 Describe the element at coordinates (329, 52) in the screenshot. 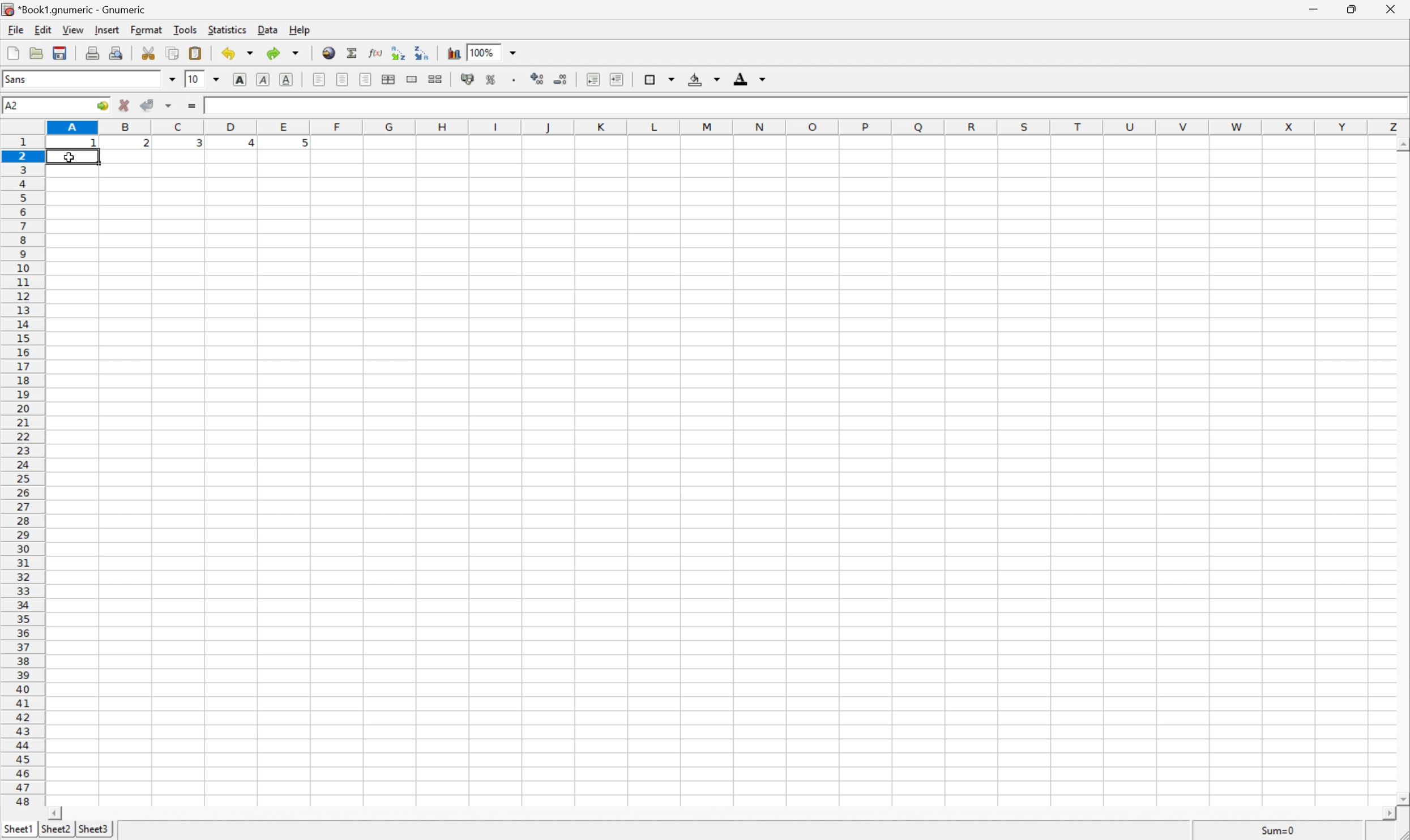

I see `insert hyperlink` at that location.